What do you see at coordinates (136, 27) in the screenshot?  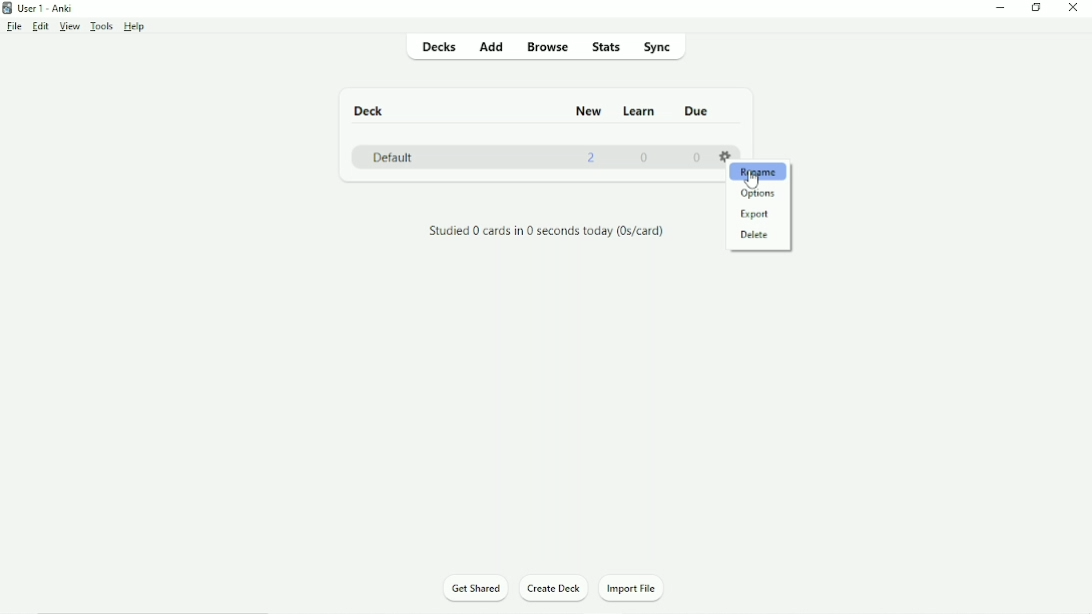 I see `Help` at bounding box center [136, 27].